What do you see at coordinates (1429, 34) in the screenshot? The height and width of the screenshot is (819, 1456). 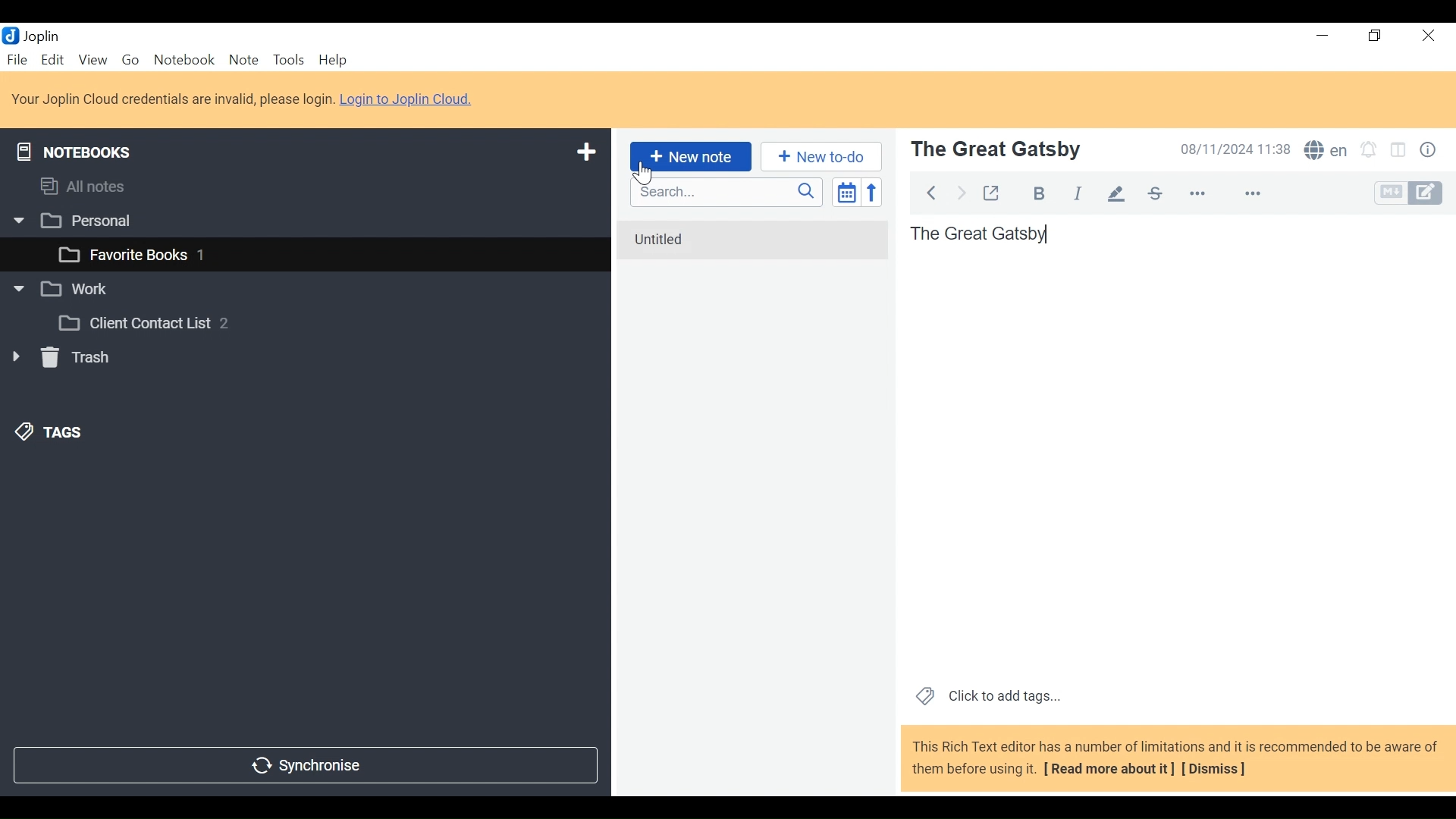 I see `Close` at bounding box center [1429, 34].